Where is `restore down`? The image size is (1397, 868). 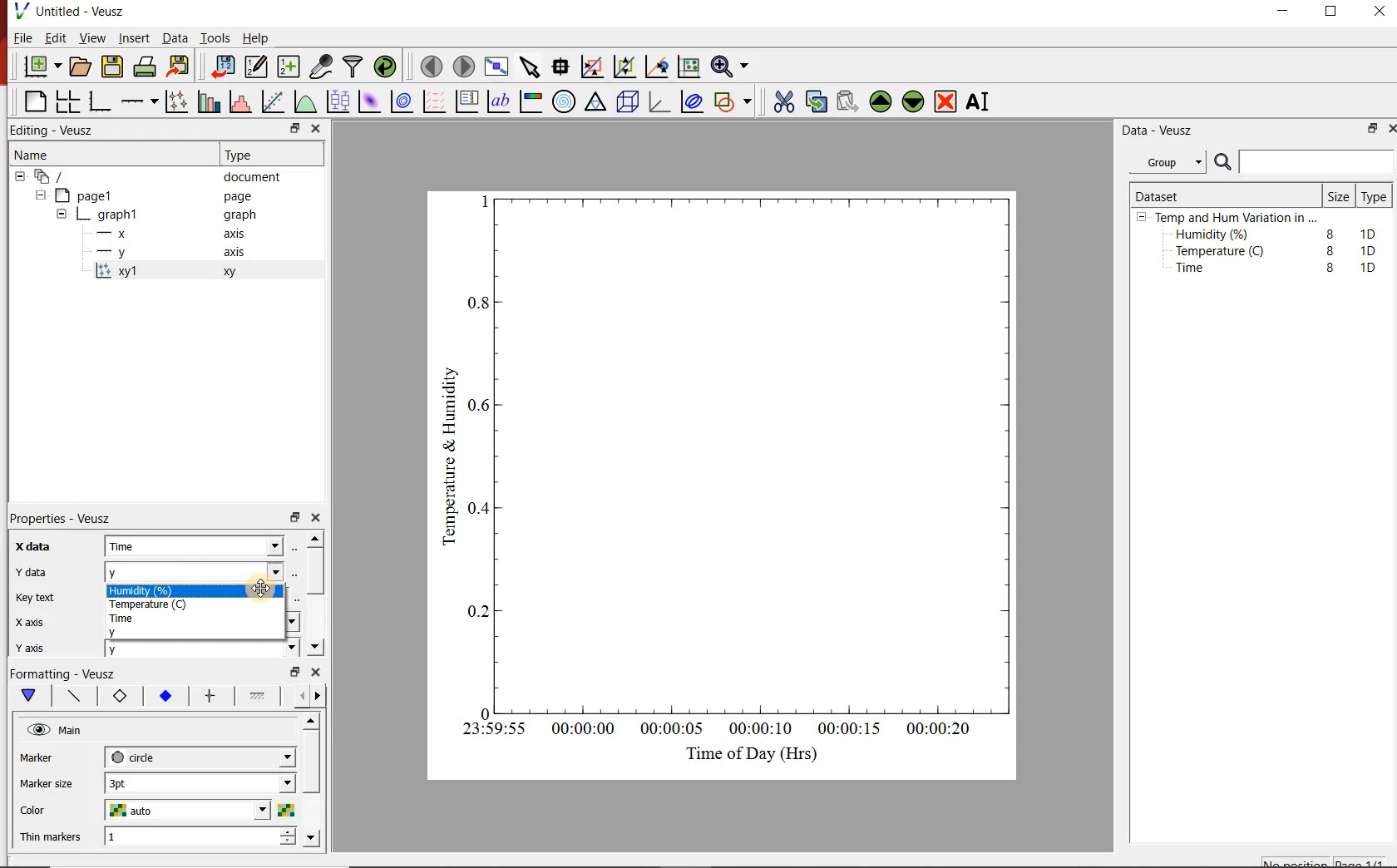 restore down is located at coordinates (284, 128).